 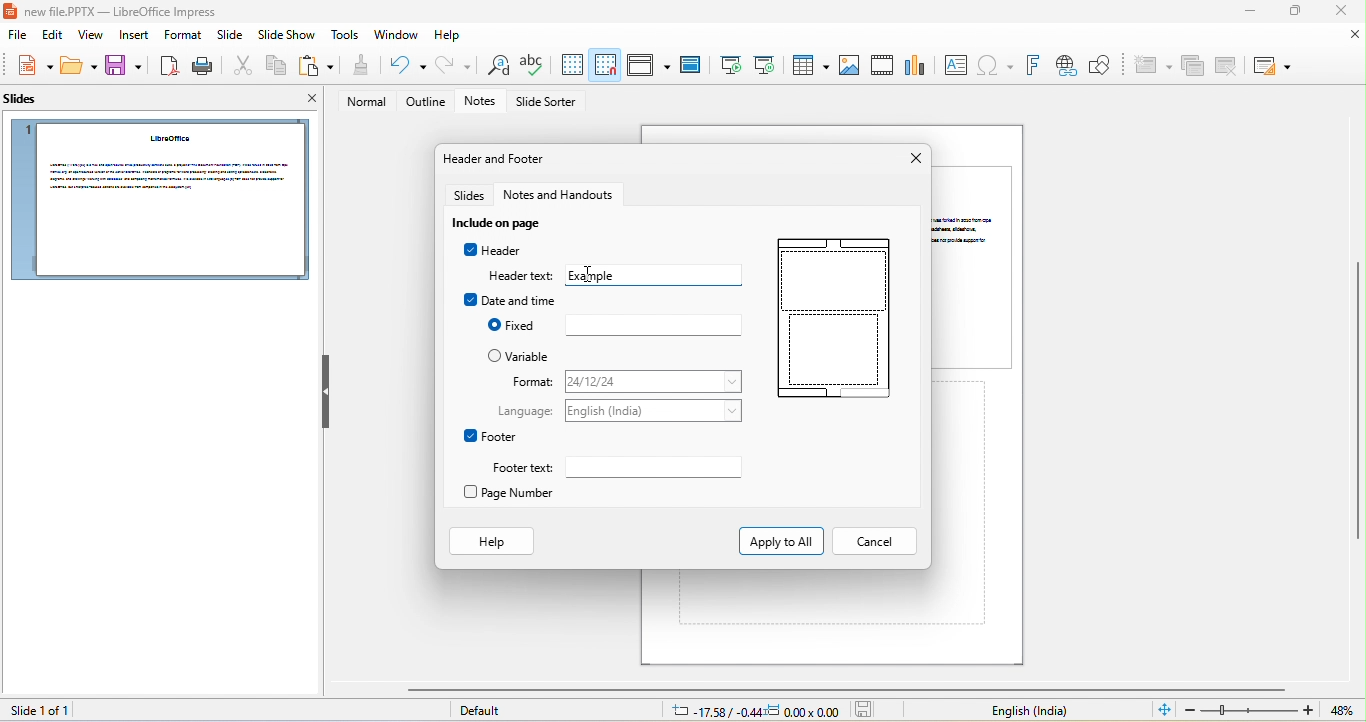 What do you see at coordinates (764, 64) in the screenshot?
I see `start from current slide` at bounding box center [764, 64].